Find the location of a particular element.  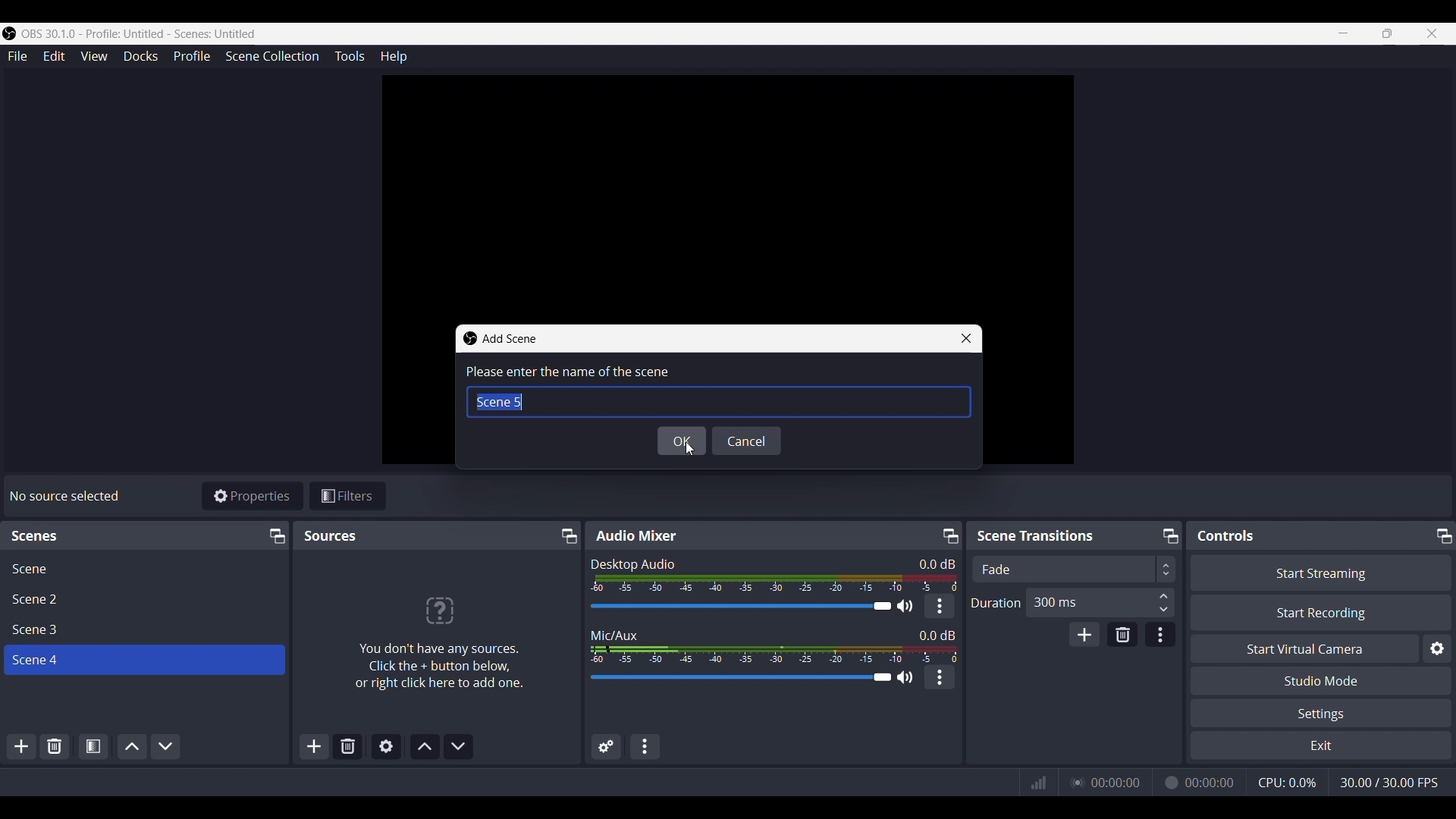

Cancel is located at coordinates (748, 441).